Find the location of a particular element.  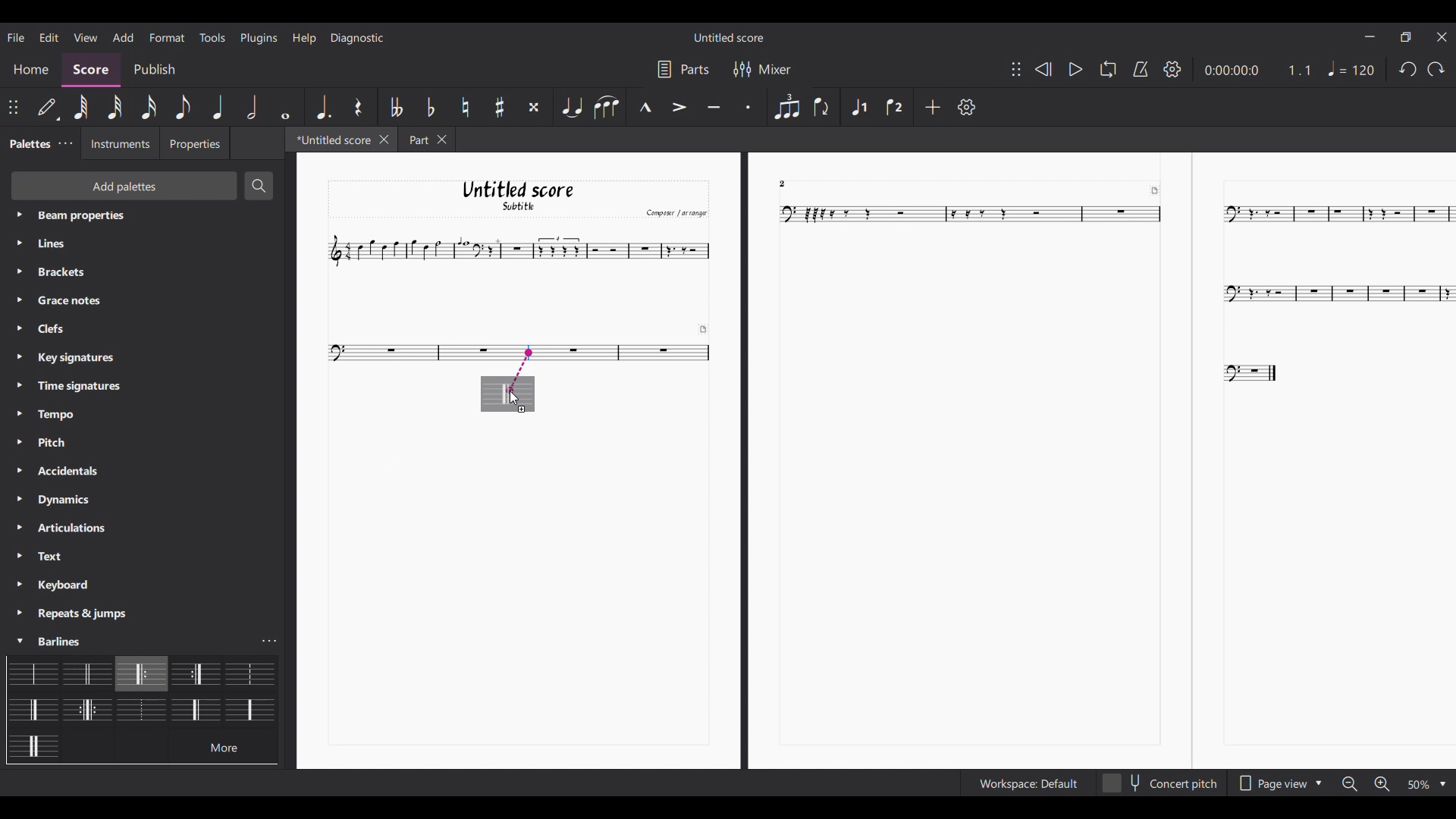

Barline settings is located at coordinates (271, 642).